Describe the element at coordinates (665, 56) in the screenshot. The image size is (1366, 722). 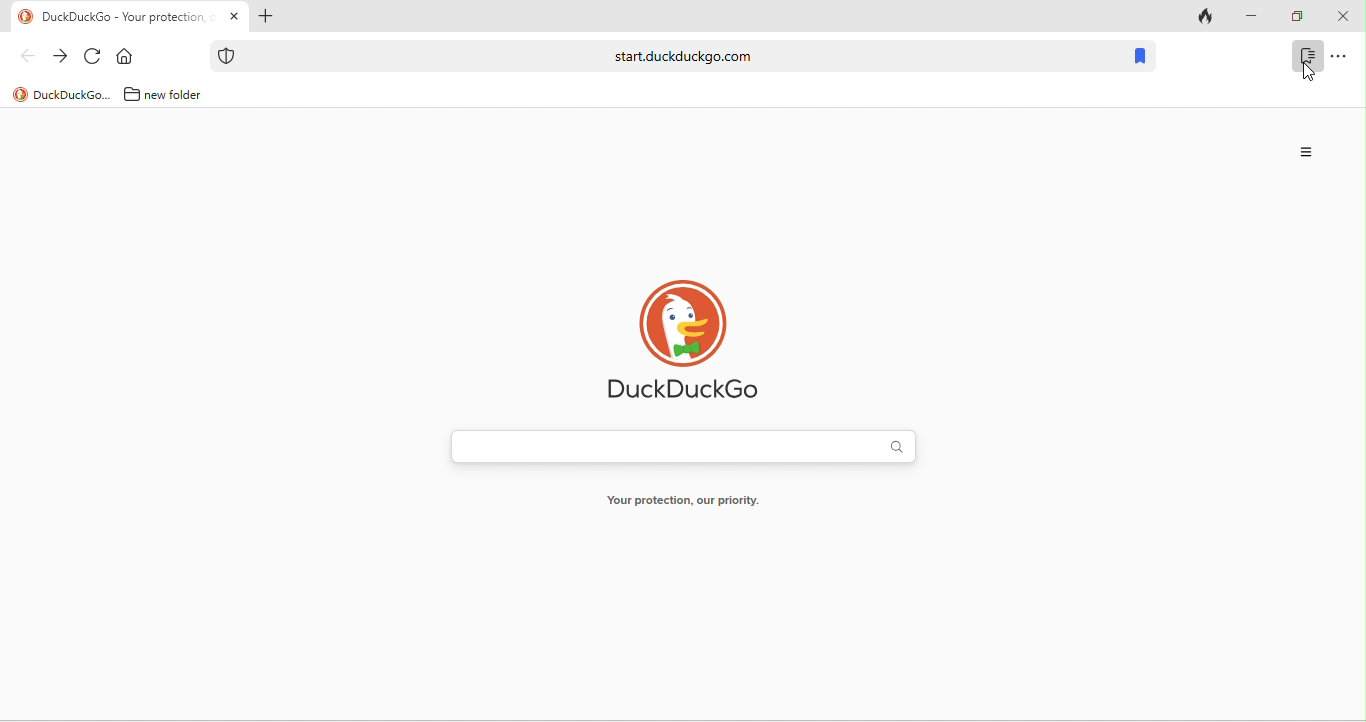
I see `weblink` at that location.